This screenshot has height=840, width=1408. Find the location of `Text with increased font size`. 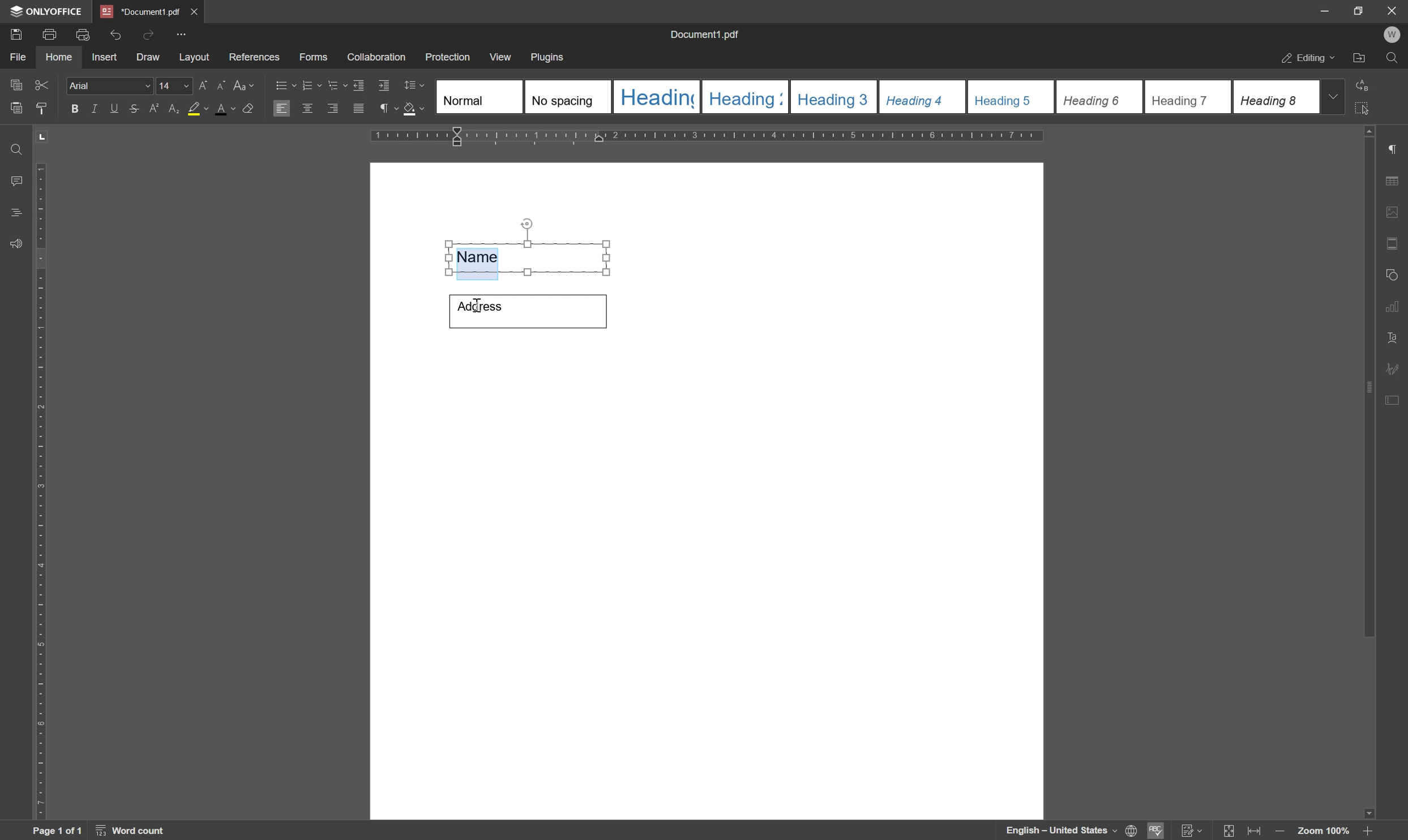

Text with increased font size is located at coordinates (481, 258).